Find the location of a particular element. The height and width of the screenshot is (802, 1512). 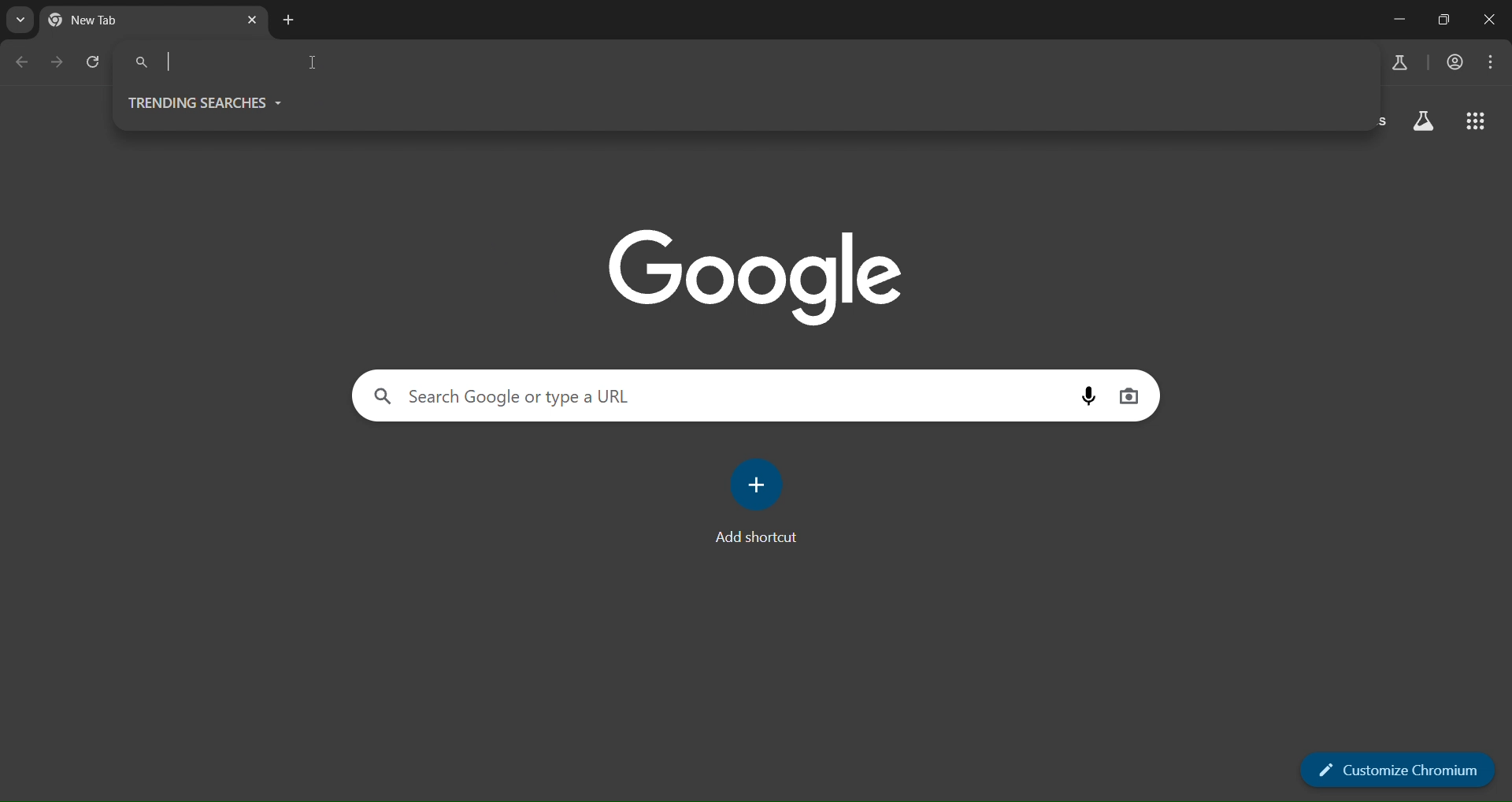

new tab is located at coordinates (287, 24).